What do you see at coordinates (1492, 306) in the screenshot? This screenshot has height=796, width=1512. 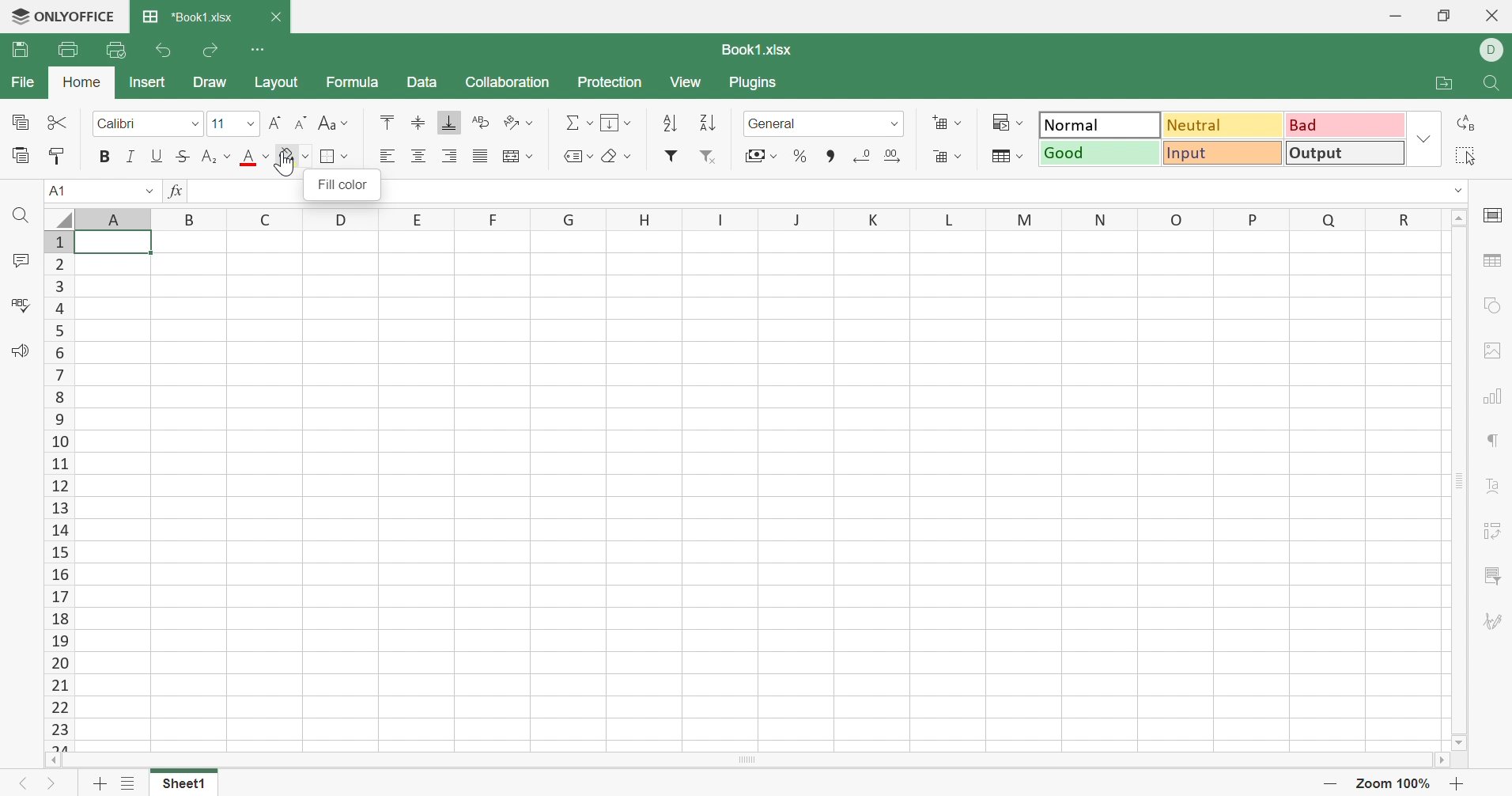 I see `Shape settings` at bounding box center [1492, 306].